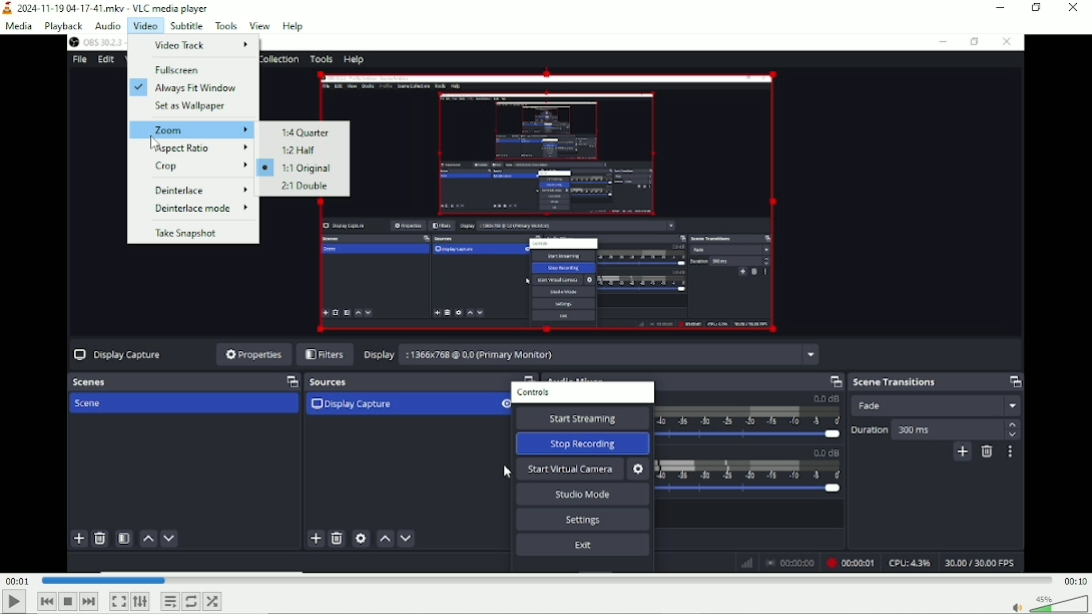  I want to click on Always fit window, so click(190, 89).